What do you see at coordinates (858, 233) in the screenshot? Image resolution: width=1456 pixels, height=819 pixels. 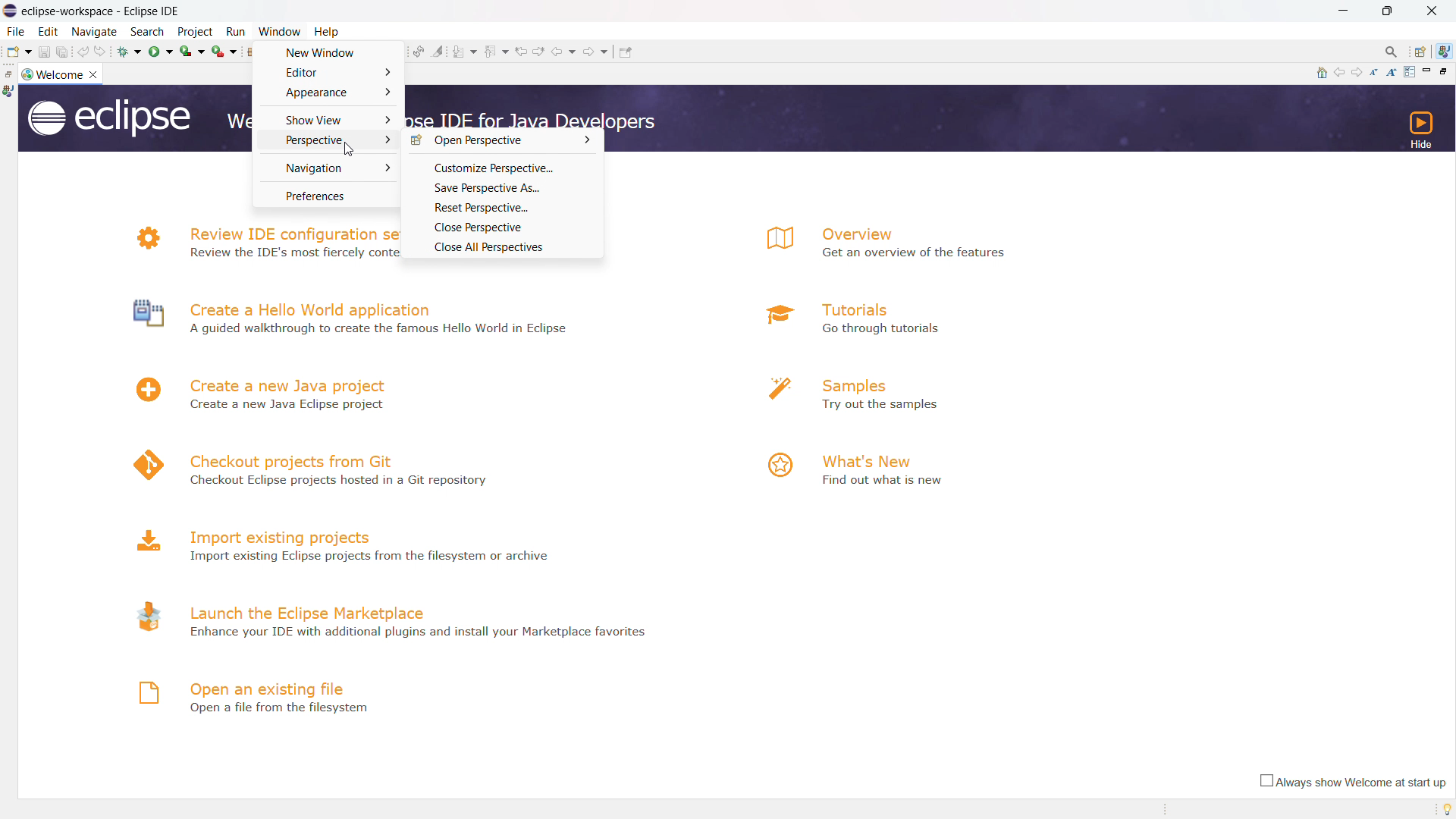 I see `overview` at bounding box center [858, 233].